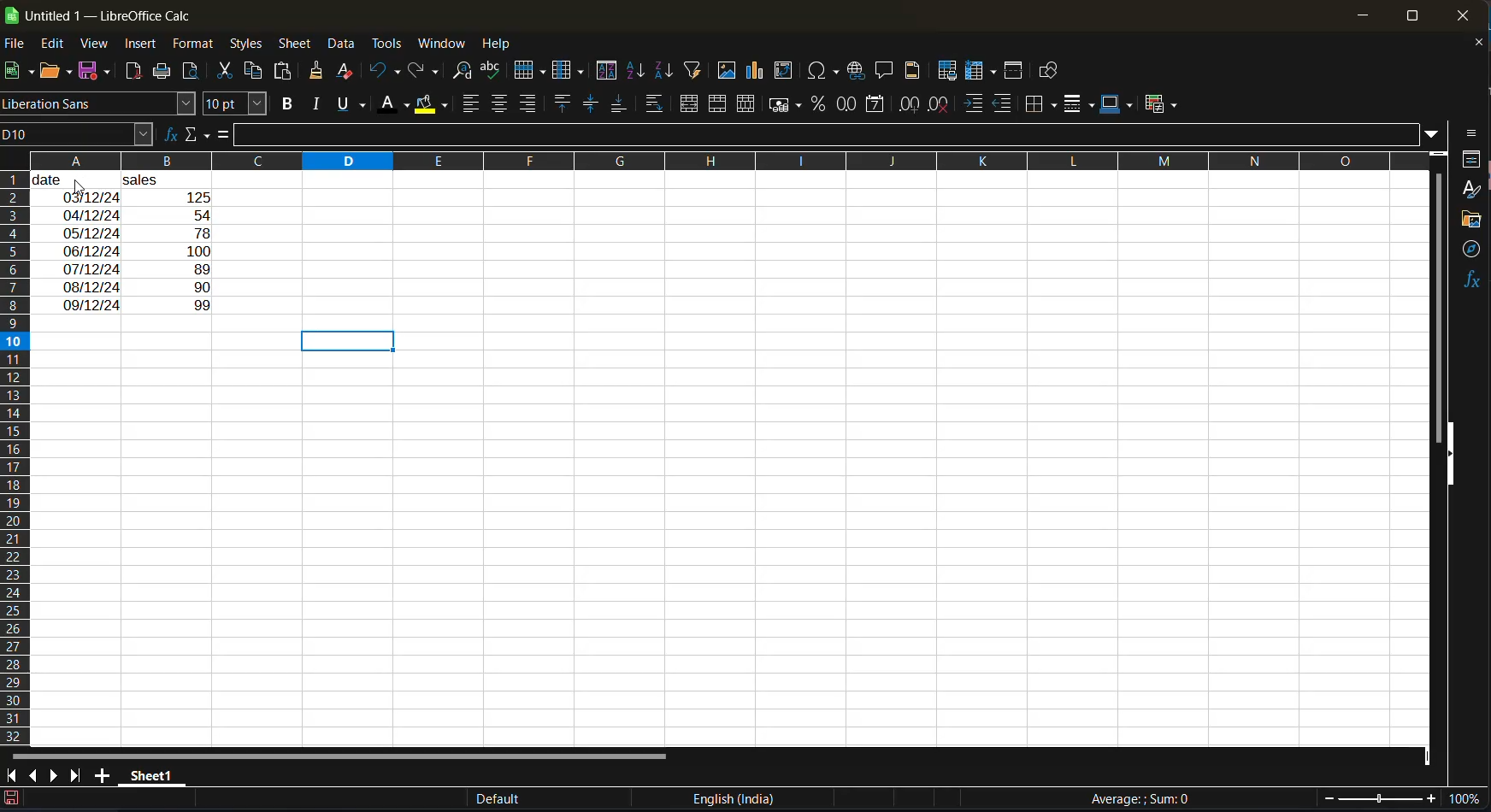 This screenshot has width=1491, height=812. Describe the element at coordinates (821, 108) in the screenshot. I see `format as percent` at that location.